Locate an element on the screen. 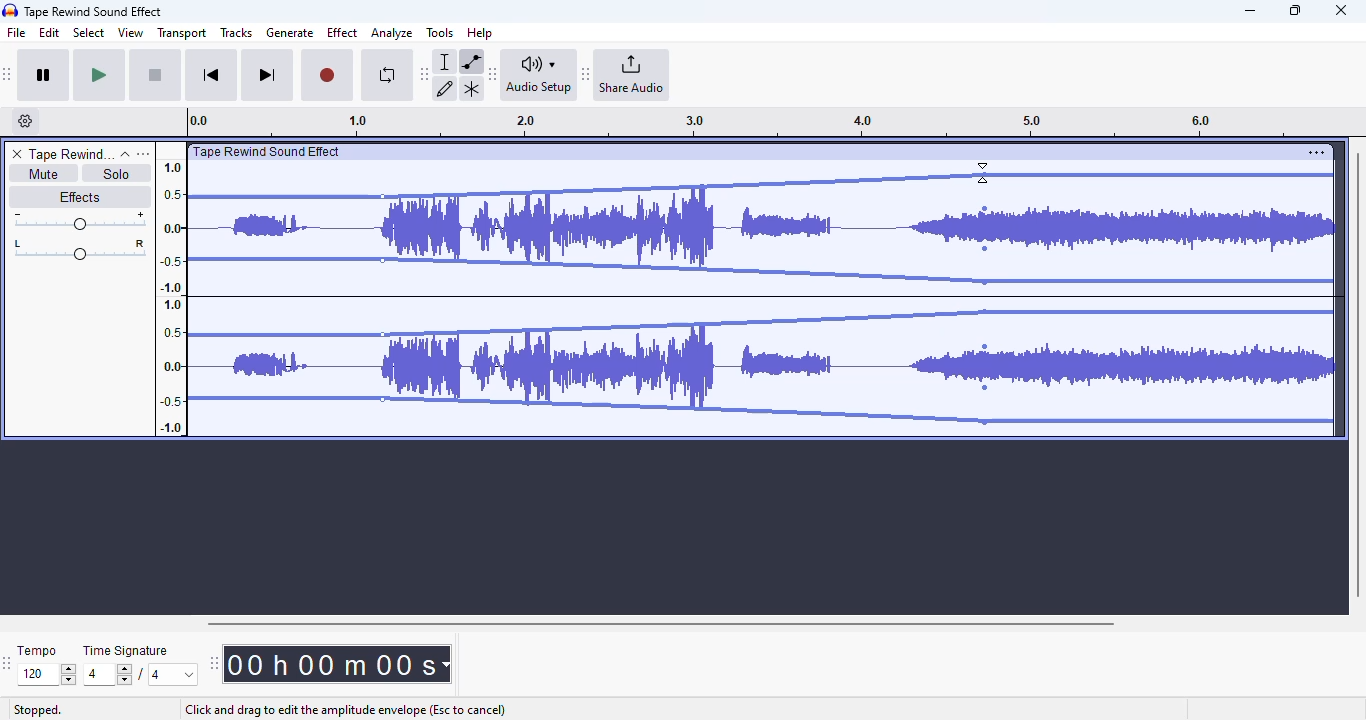  tracks is located at coordinates (236, 34).